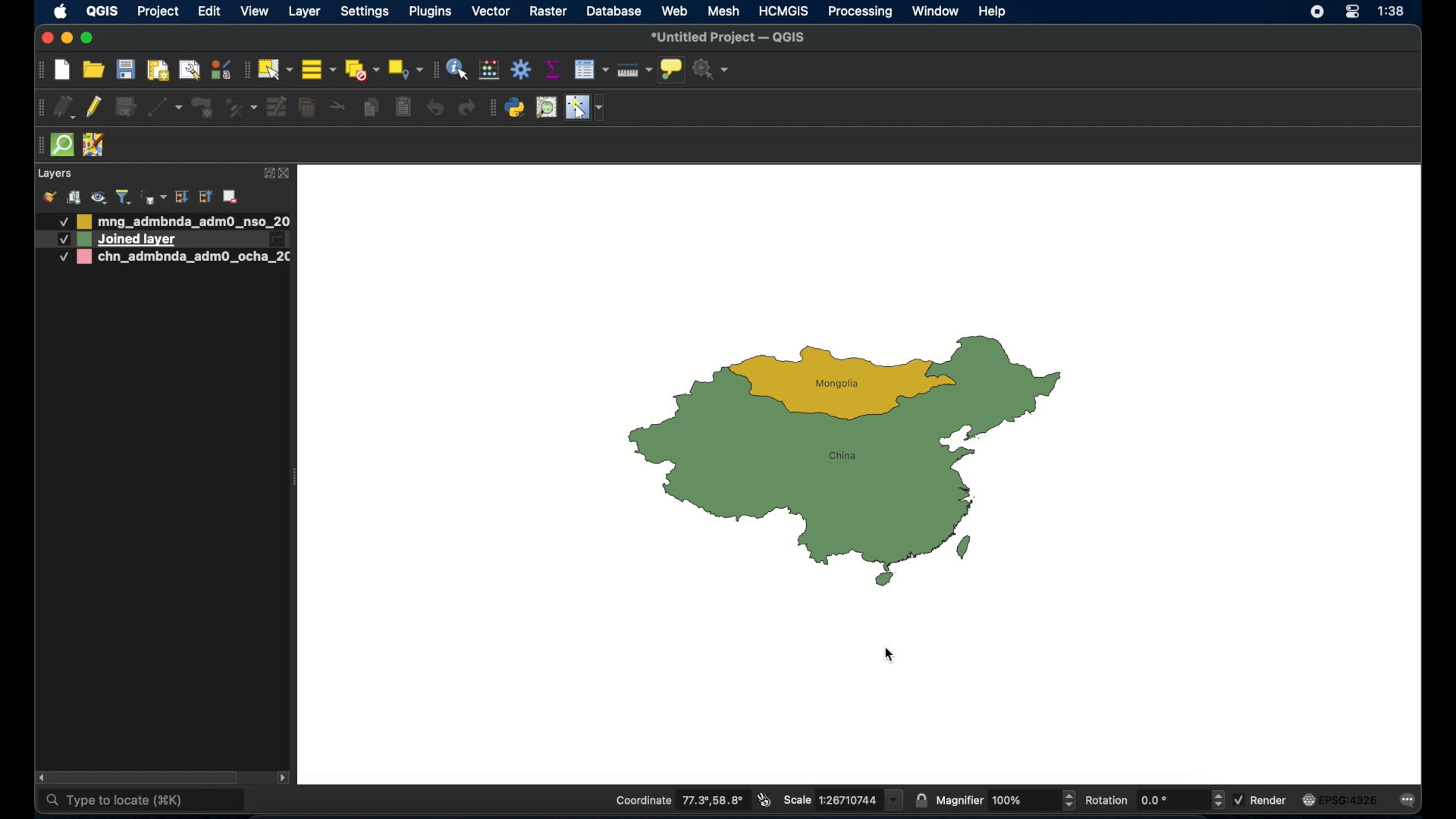  Describe the element at coordinates (165, 108) in the screenshot. I see `digitize with segment` at that location.